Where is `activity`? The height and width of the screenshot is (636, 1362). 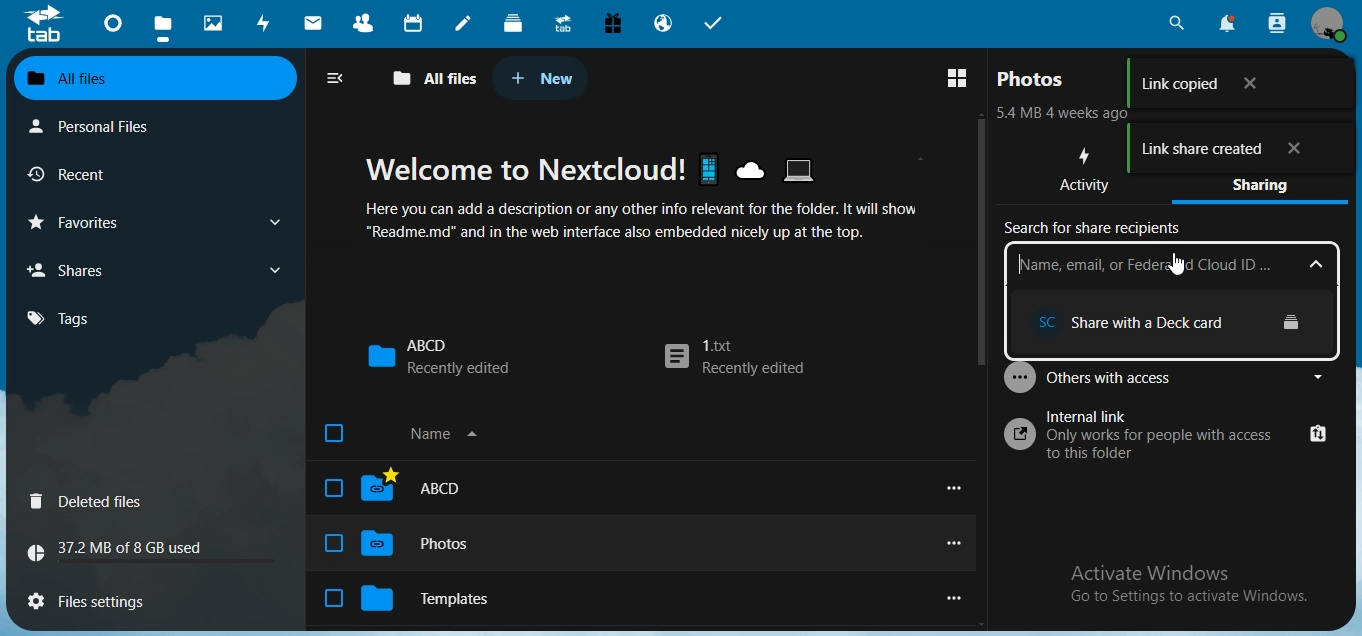
activity is located at coordinates (1088, 172).